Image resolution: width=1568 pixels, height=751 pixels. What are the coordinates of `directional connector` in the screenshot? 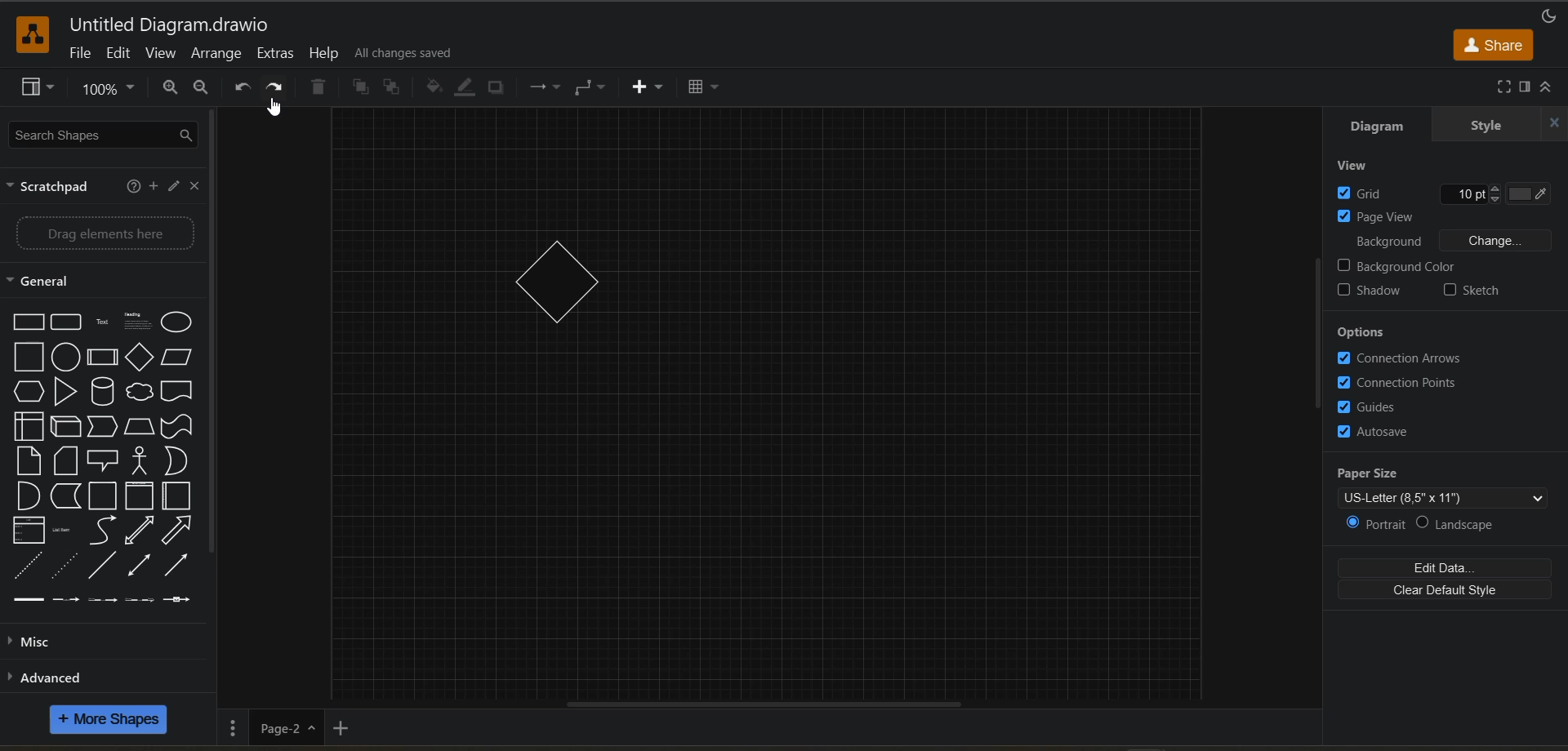 It's located at (176, 566).